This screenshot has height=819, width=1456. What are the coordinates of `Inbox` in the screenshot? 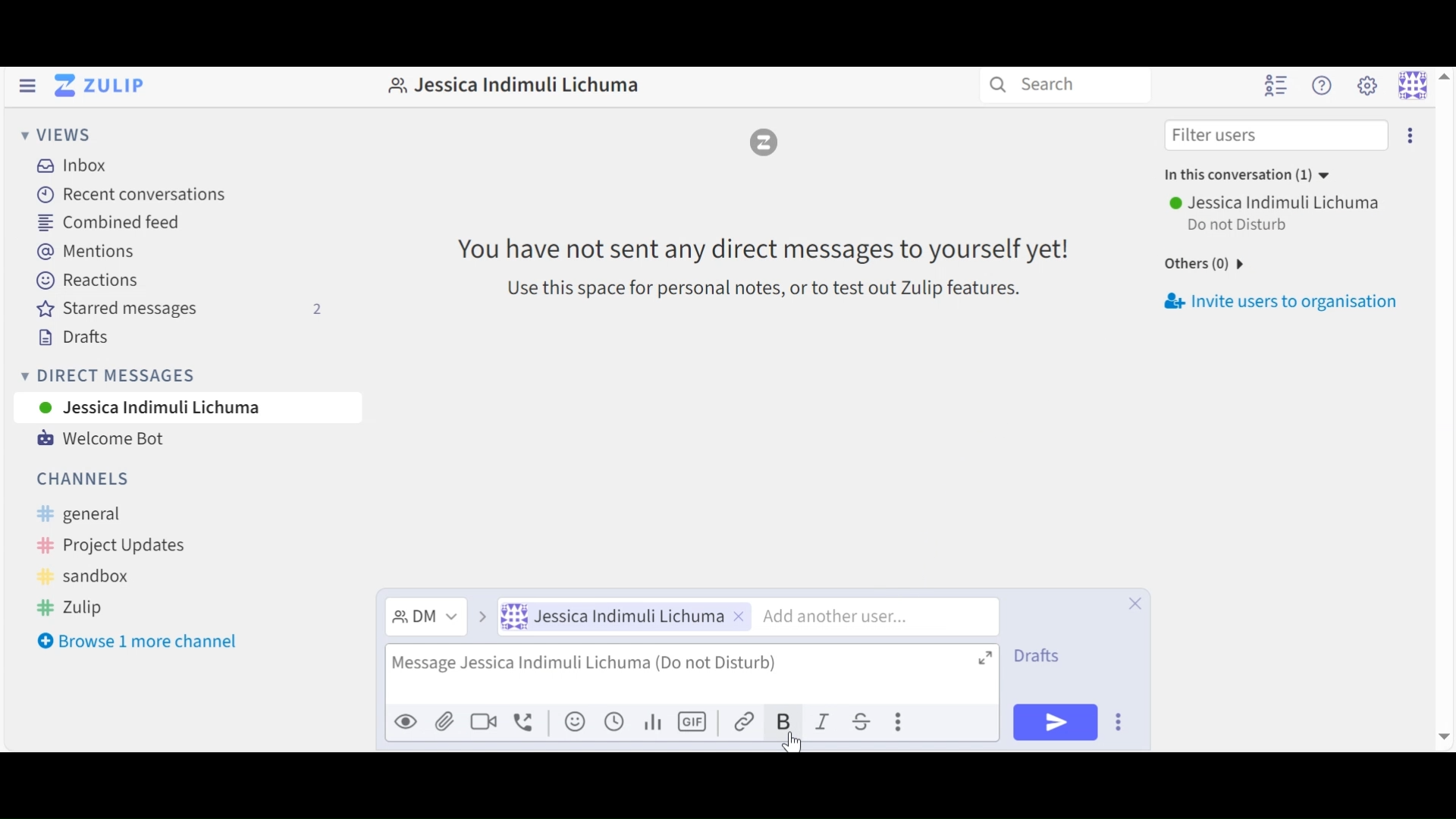 It's located at (70, 165).